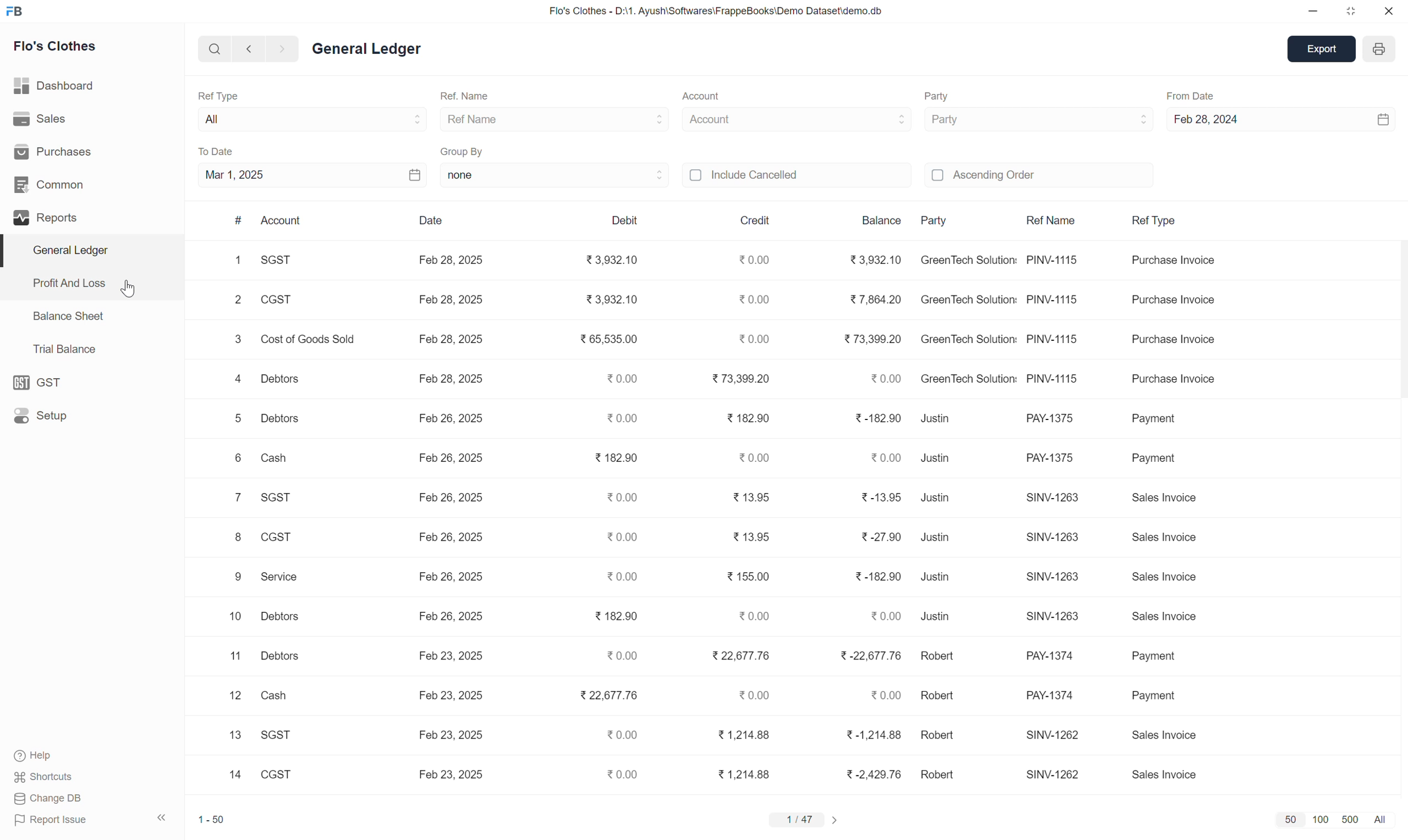  Describe the element at coordinates (615, 300) in the screenshot. I see `₹3,932.10` at that location.